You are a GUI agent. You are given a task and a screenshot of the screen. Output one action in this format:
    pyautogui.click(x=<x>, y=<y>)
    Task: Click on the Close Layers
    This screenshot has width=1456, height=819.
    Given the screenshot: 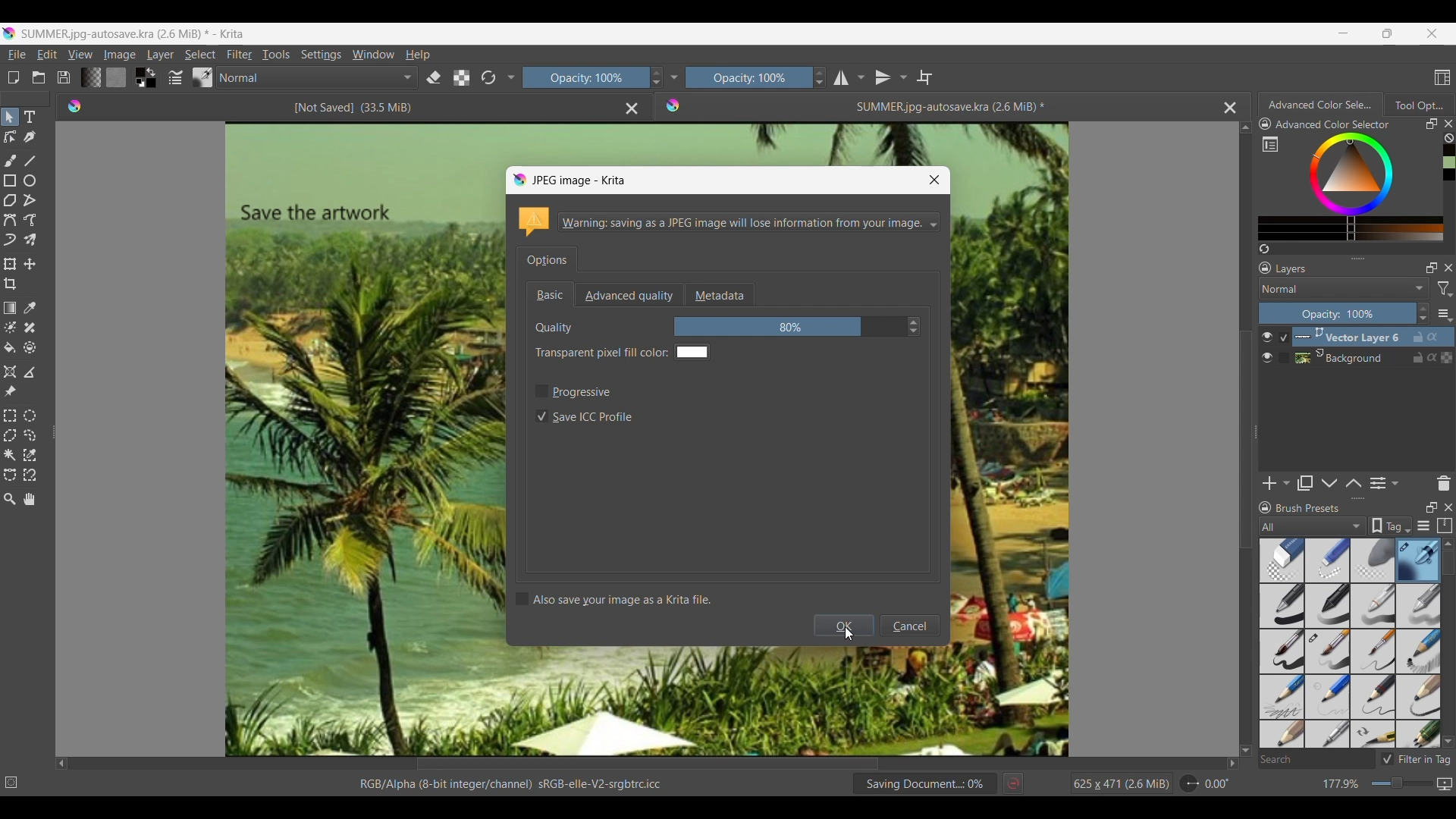 What is the action you would take?
    pyautogui.click(x=1448, y=268)
    